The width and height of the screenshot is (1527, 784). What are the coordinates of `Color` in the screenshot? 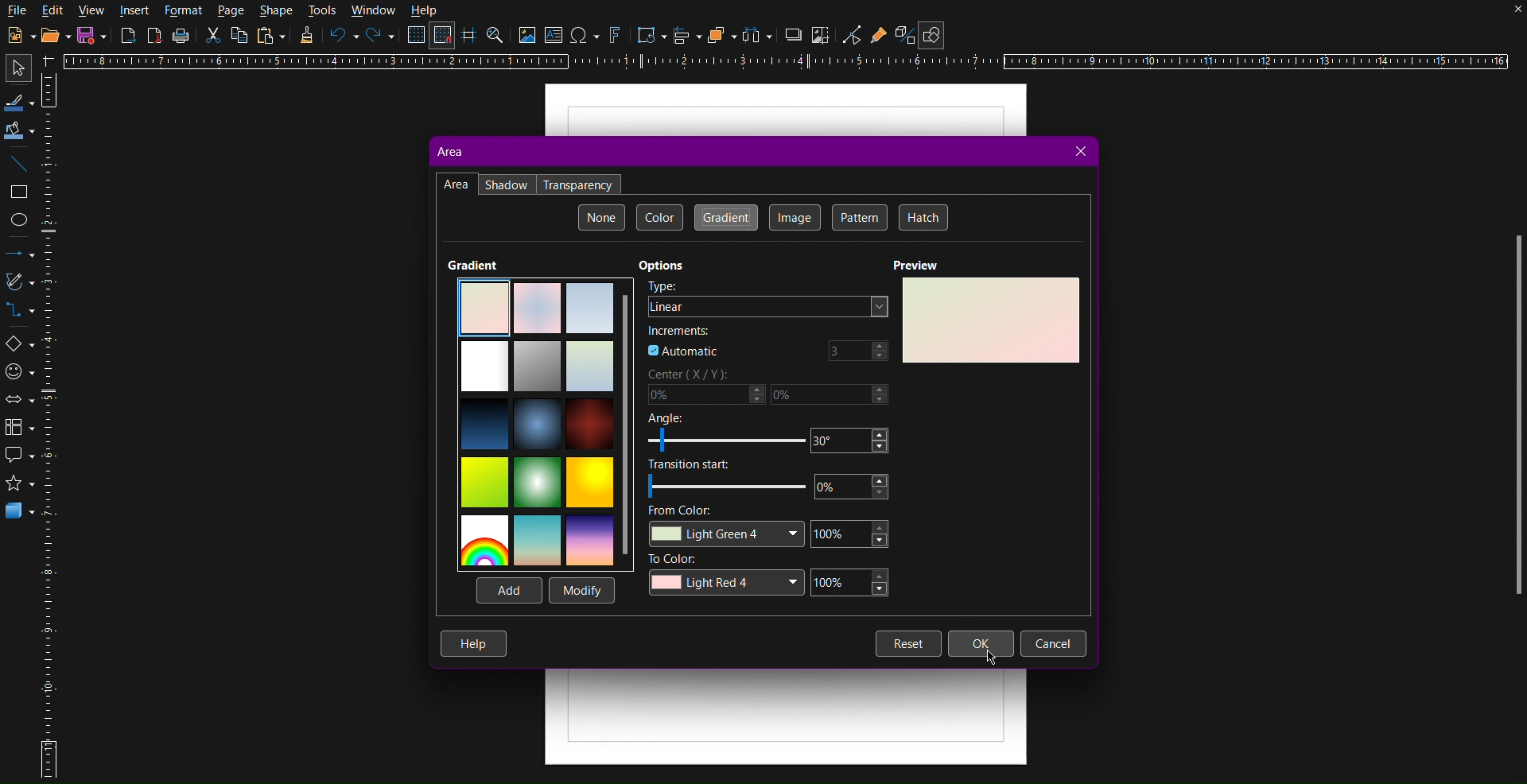 It's located at (659, 216).